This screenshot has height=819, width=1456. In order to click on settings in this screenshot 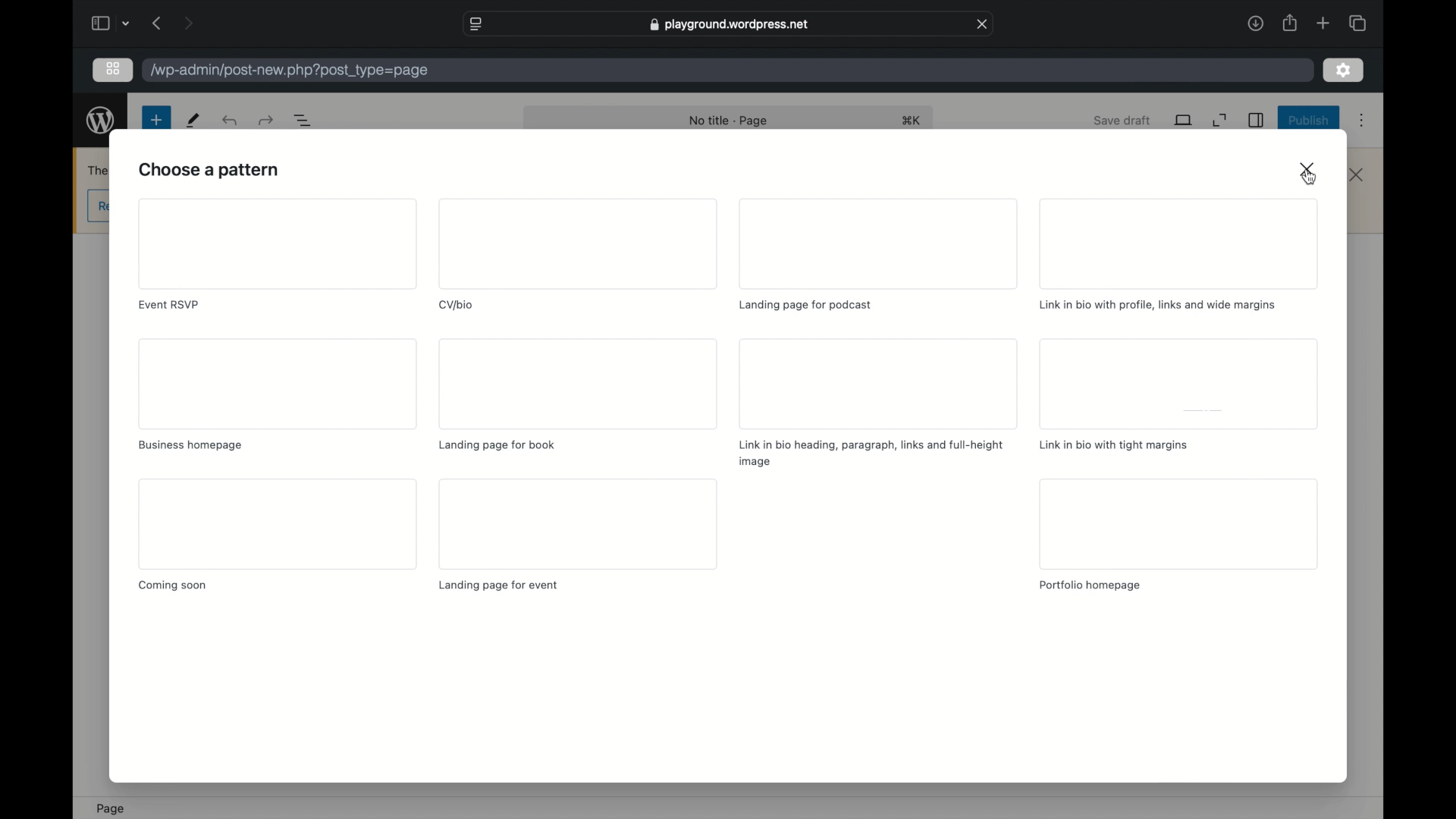, I will do `click(1345, 69)`.